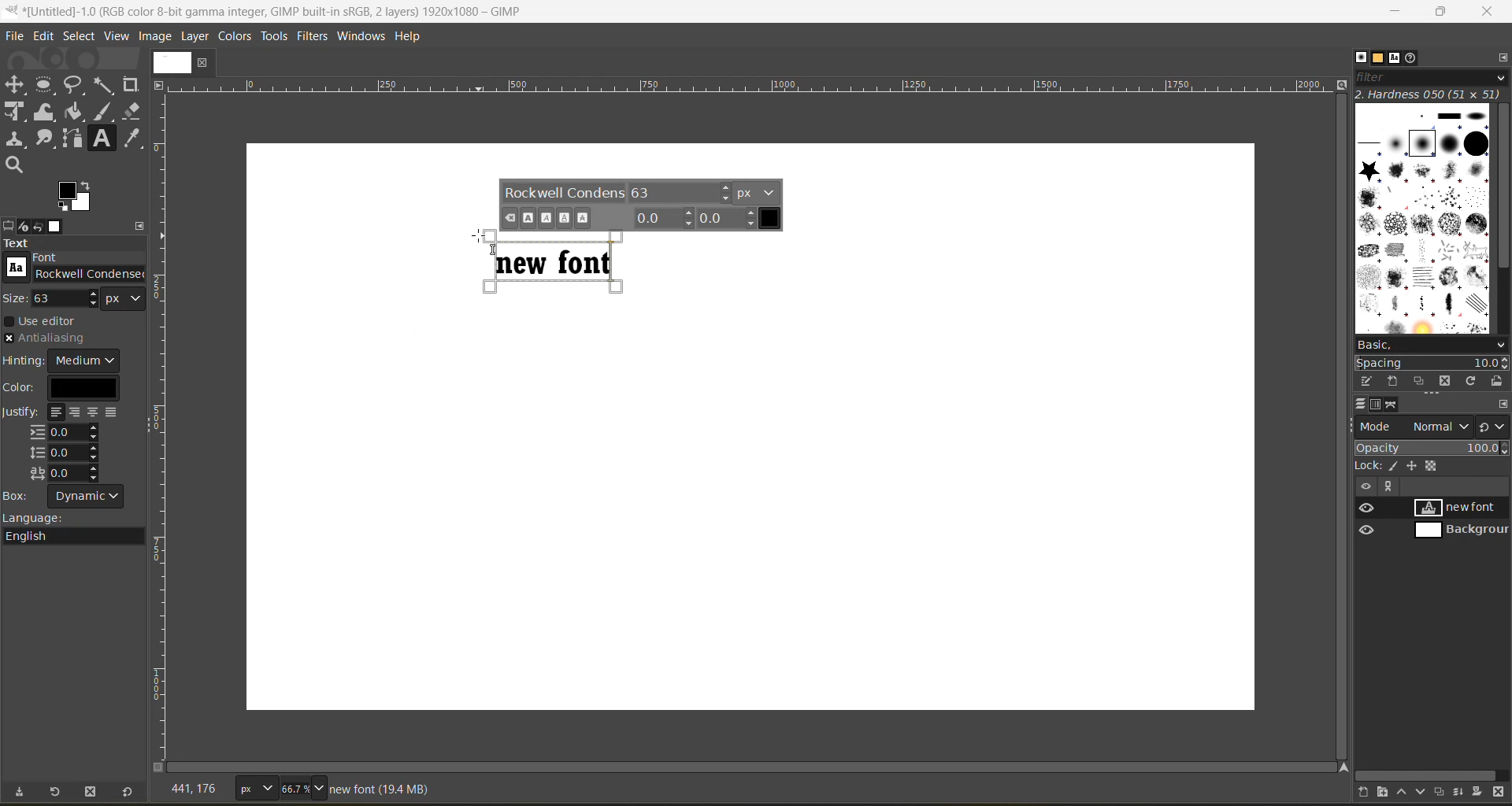  Describe the element at coordinates (1444, 383) in the screenshot. I see `delete this brush` at that location.